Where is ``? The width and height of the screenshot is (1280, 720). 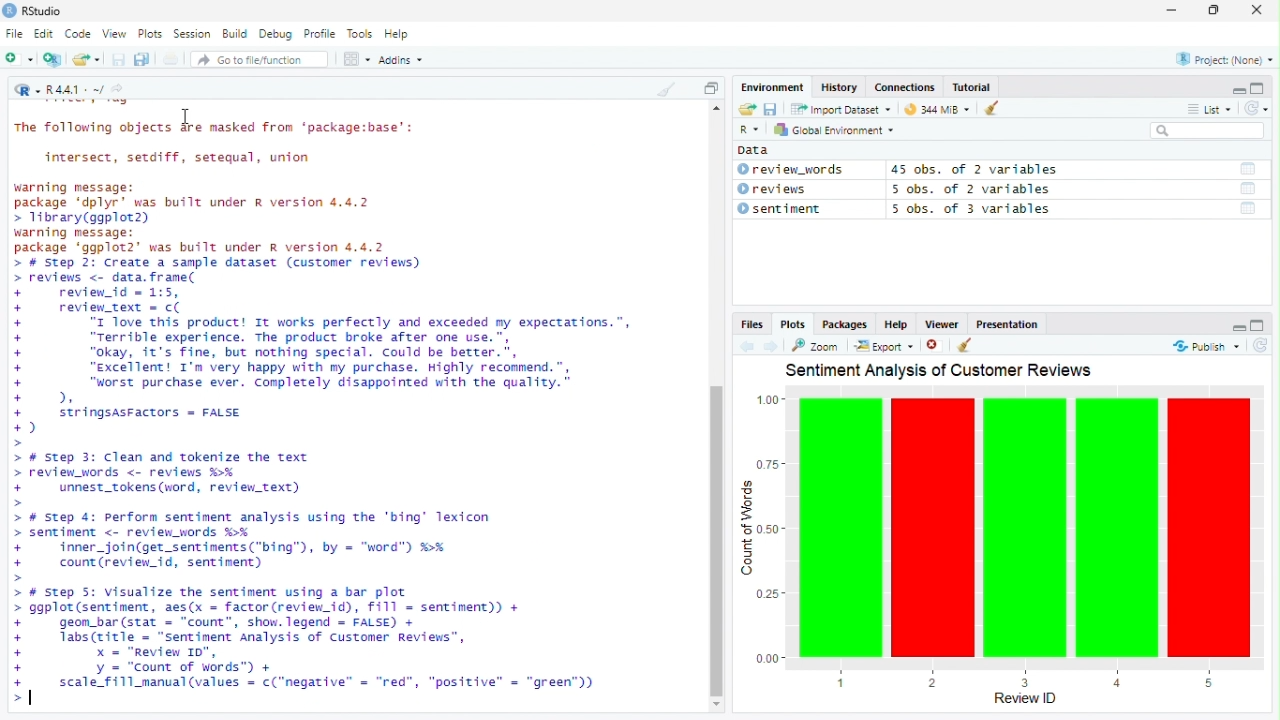  is located at coordinates (775, 88).